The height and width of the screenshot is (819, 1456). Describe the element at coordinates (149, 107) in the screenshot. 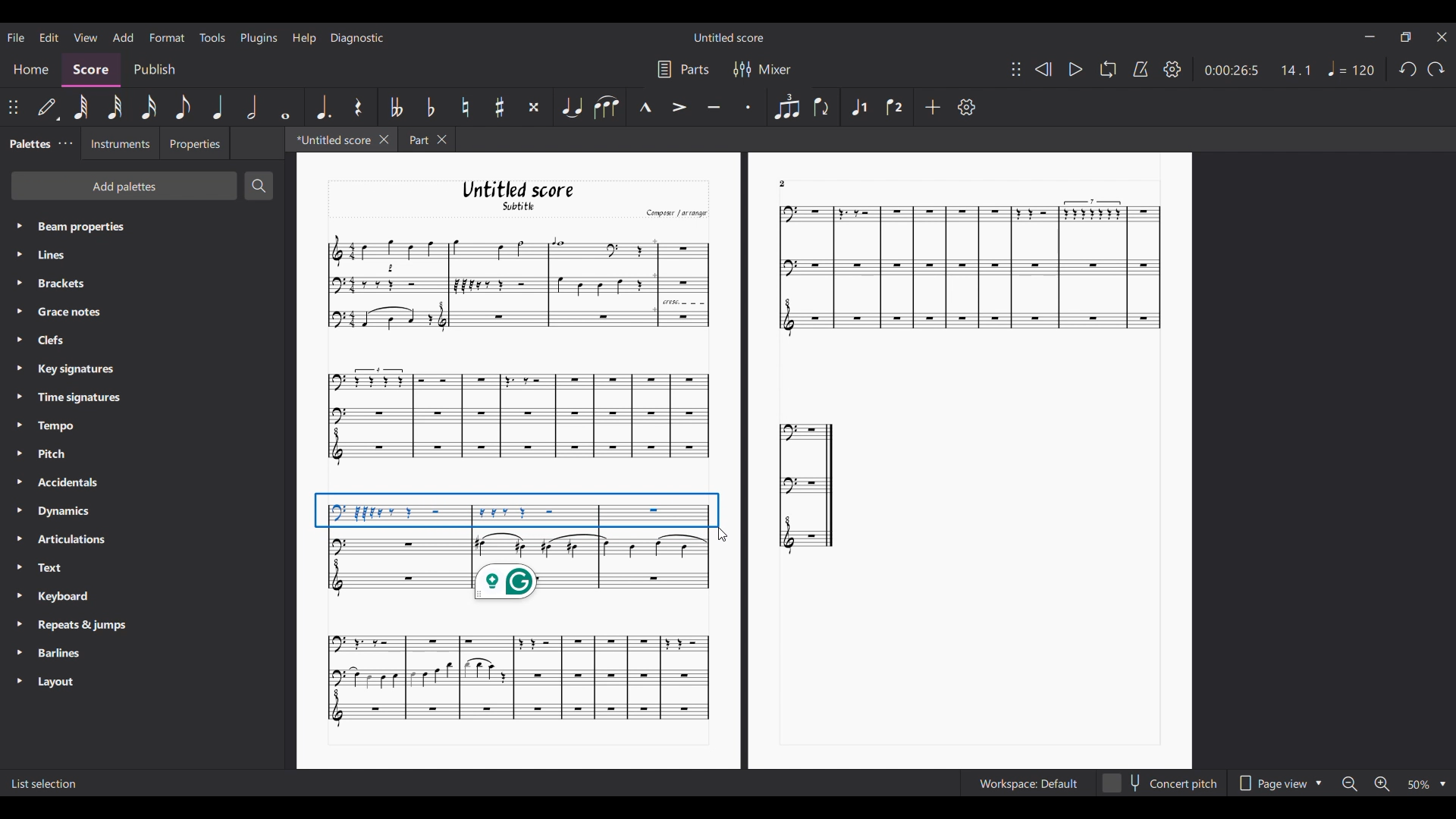

I see `16th note` at that location.